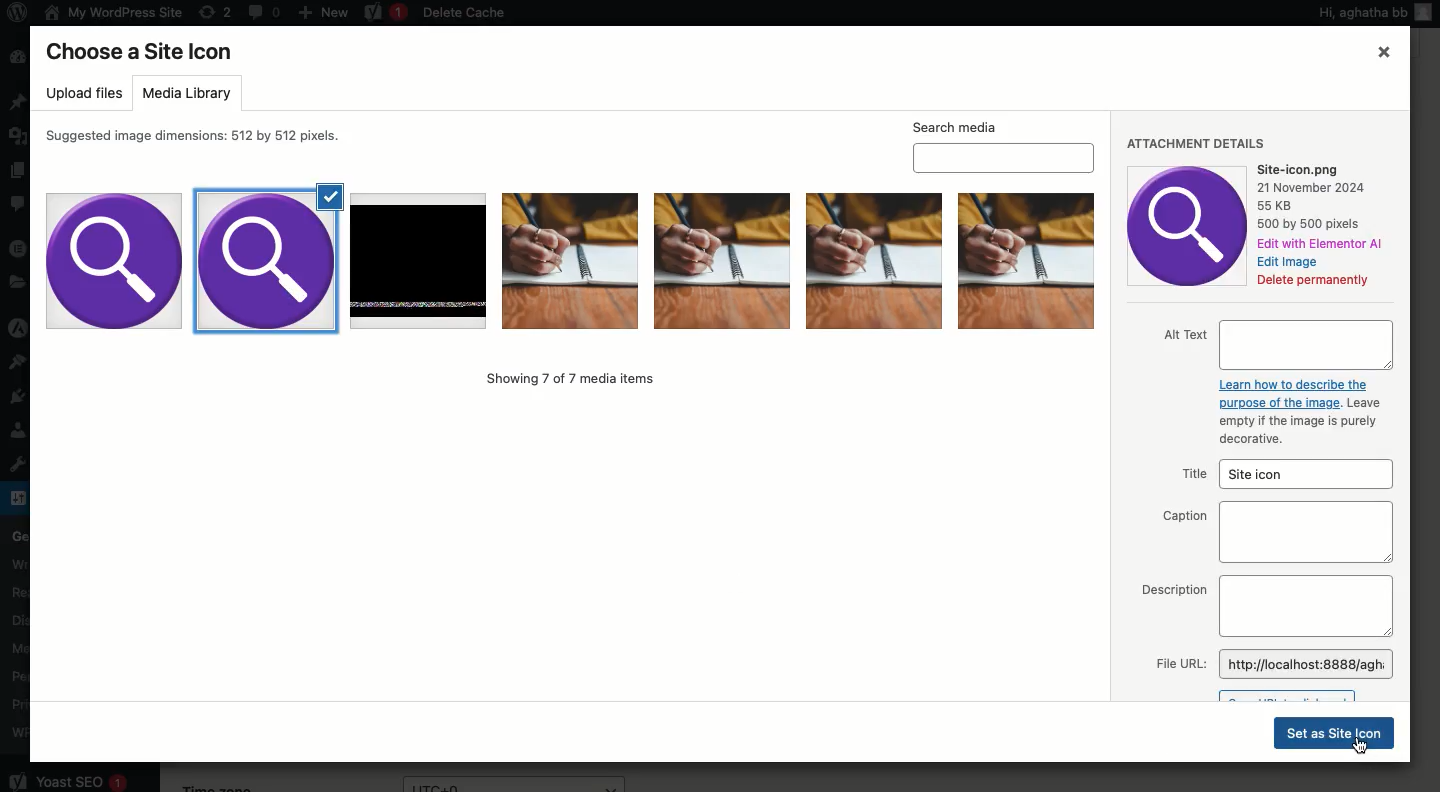 Image resolution: width=1440 pixels, height=792 pixels. What do you see at coordinates (16, 433) in the screenshot?
I see `Users` at bounding box center [16, 433].